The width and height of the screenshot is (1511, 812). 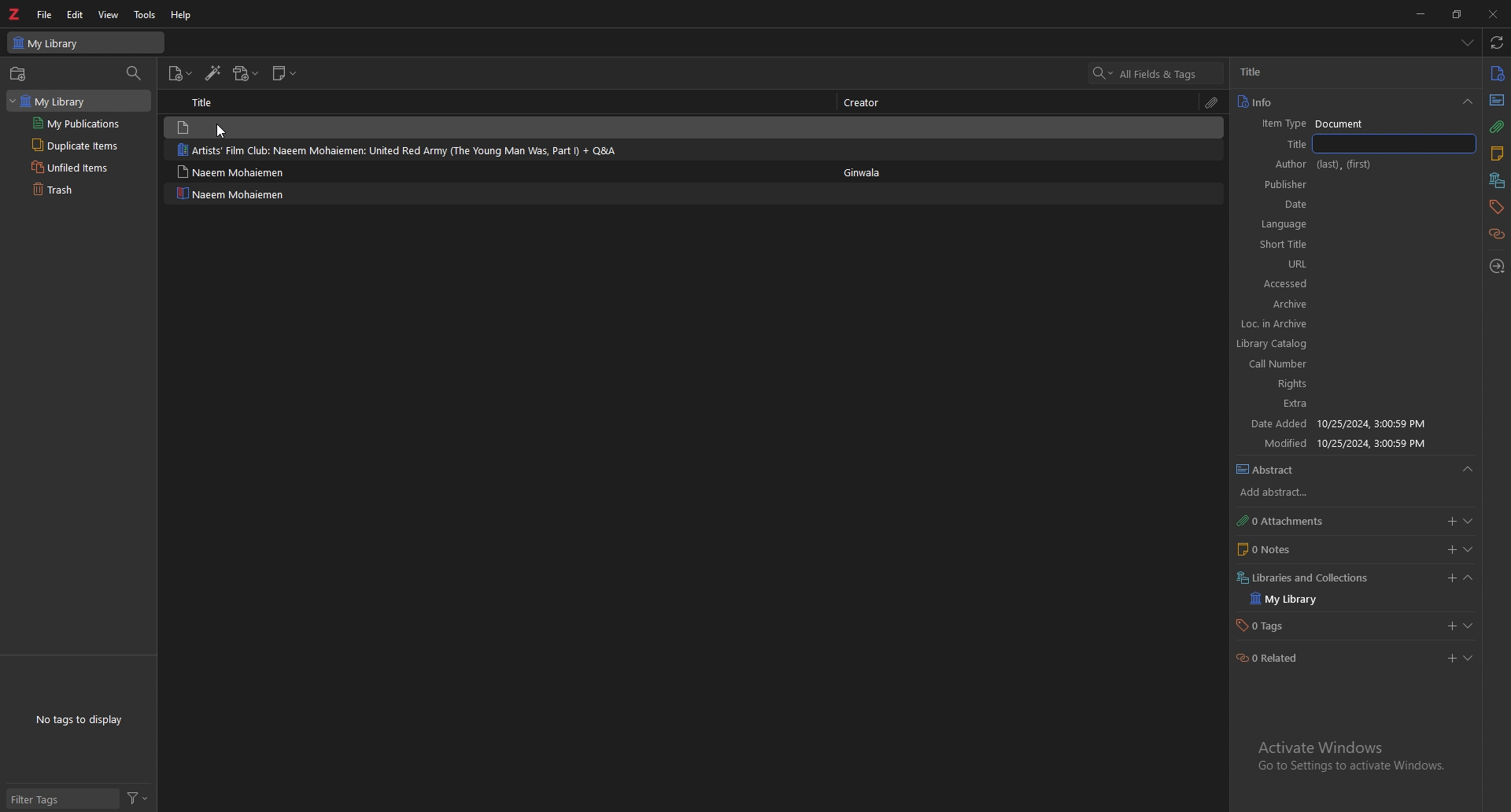 I want to click on libraries and collections, so click(x=1498, y=180).